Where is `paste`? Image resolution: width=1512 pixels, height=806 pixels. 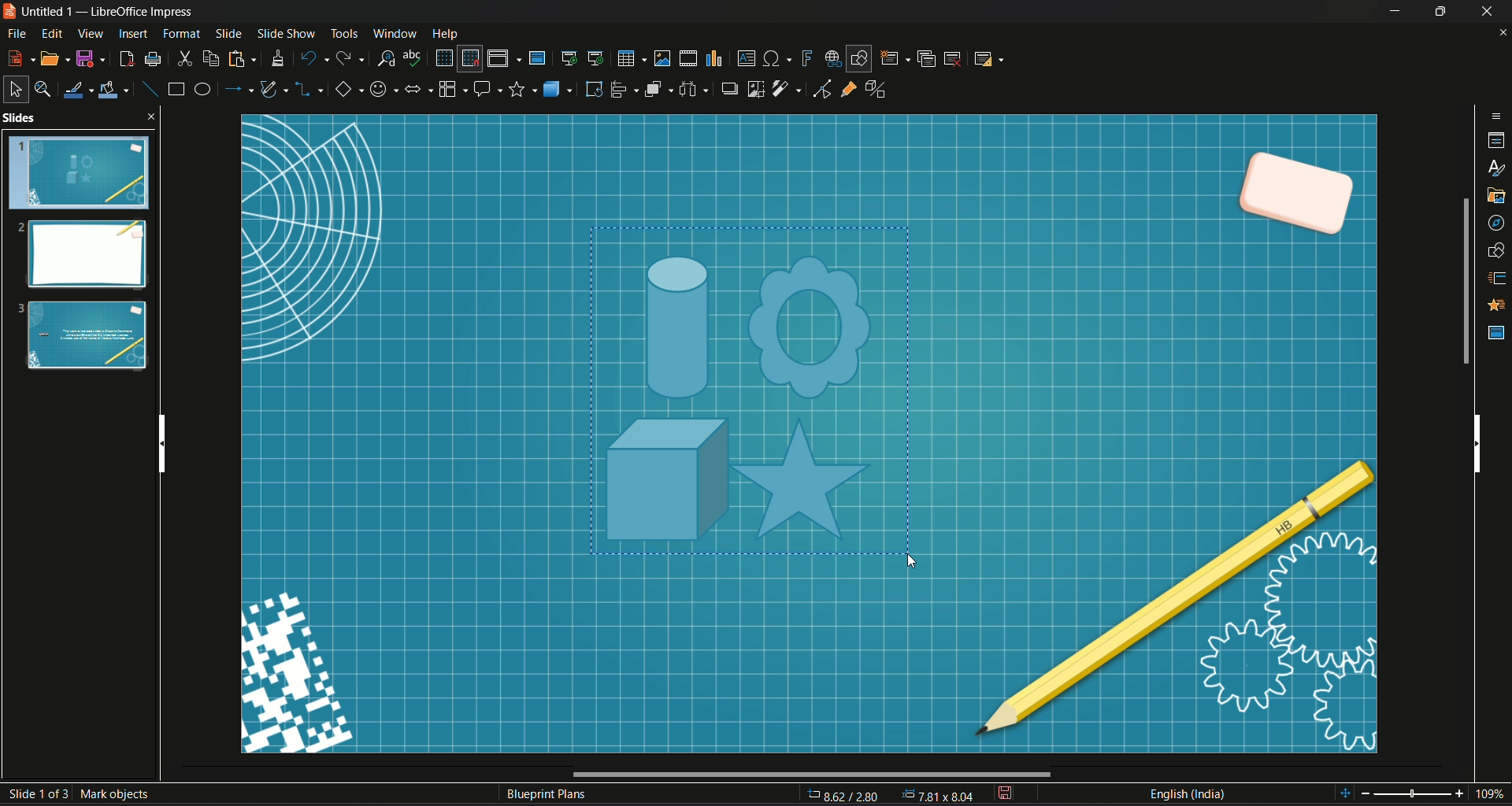
paste is located at coordinates (239, 59).